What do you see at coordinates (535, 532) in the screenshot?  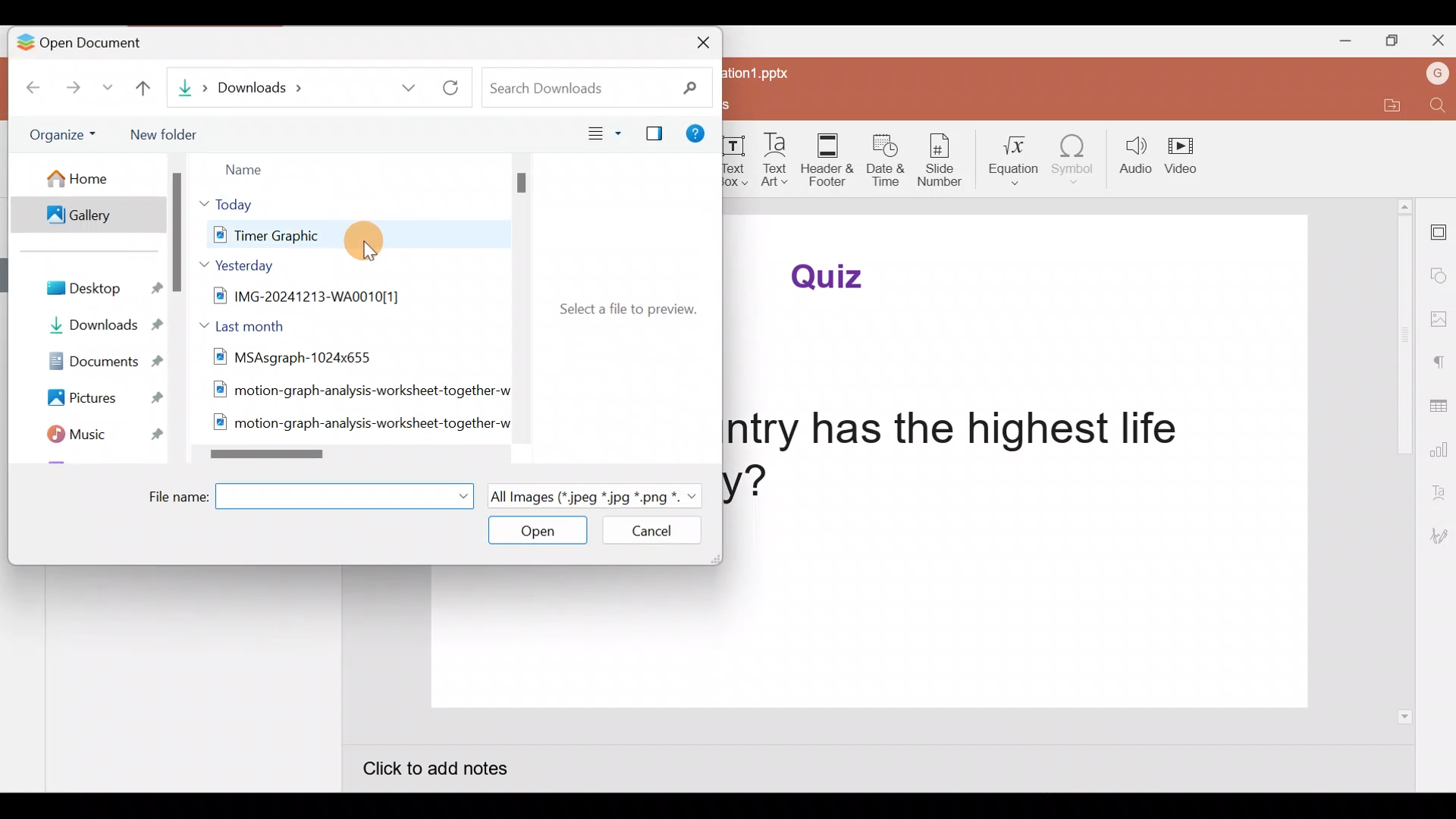 I see `Open` at bounding box center [535, 532].